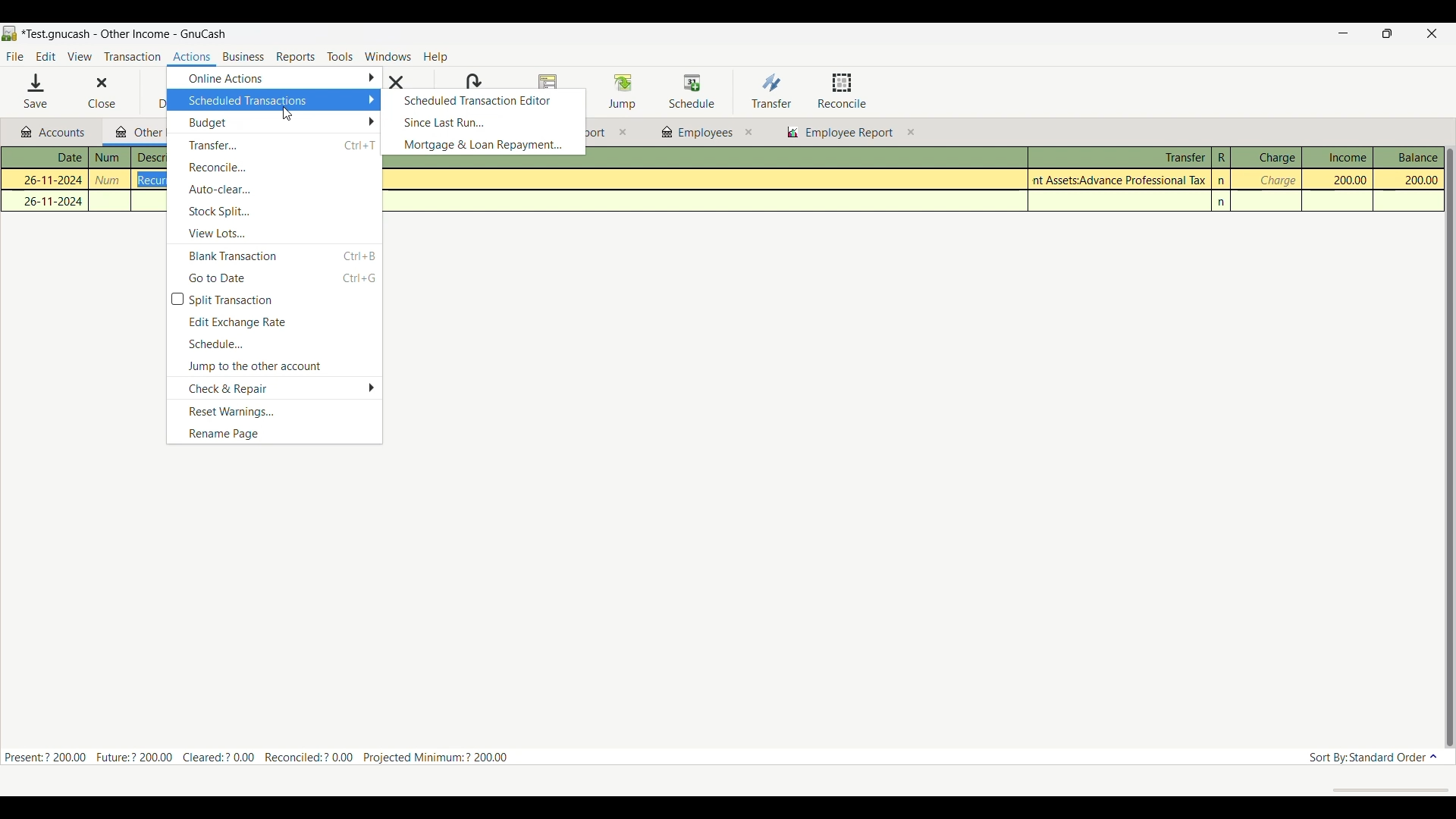  Describe the element at coordinates (243, 58) in the screenshot. I see `Business menu` at that location.